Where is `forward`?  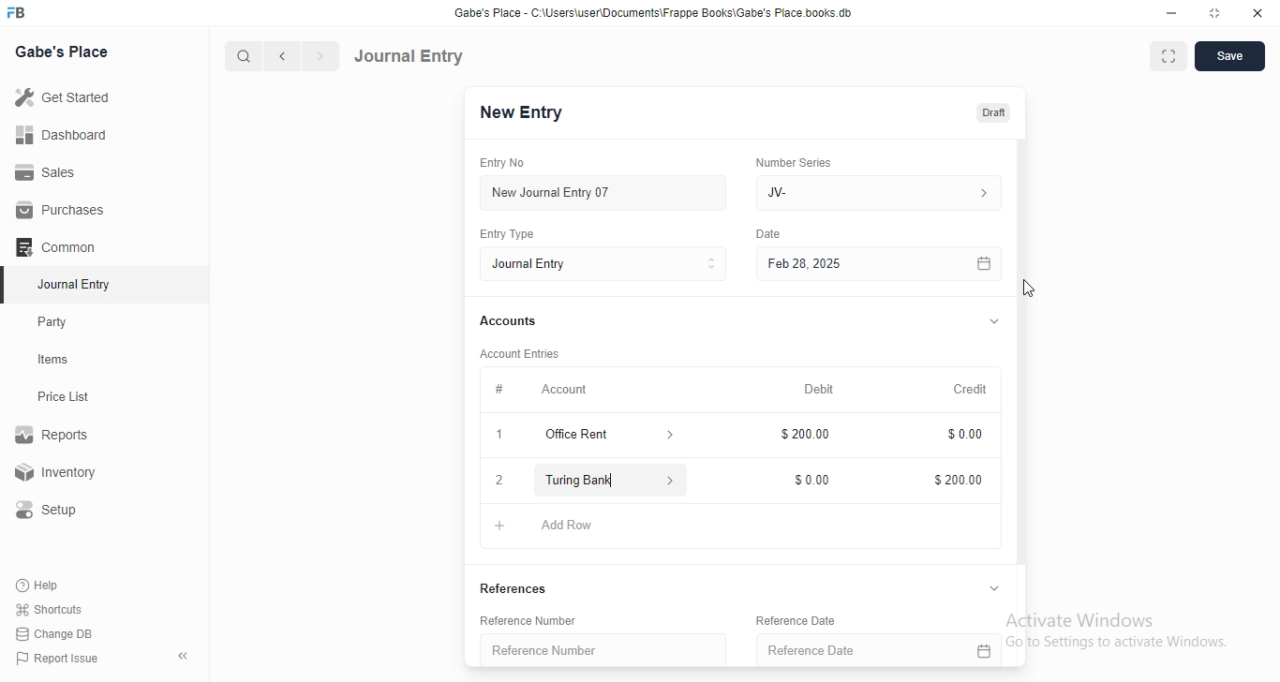
forward is located at coordinates (322, 56).